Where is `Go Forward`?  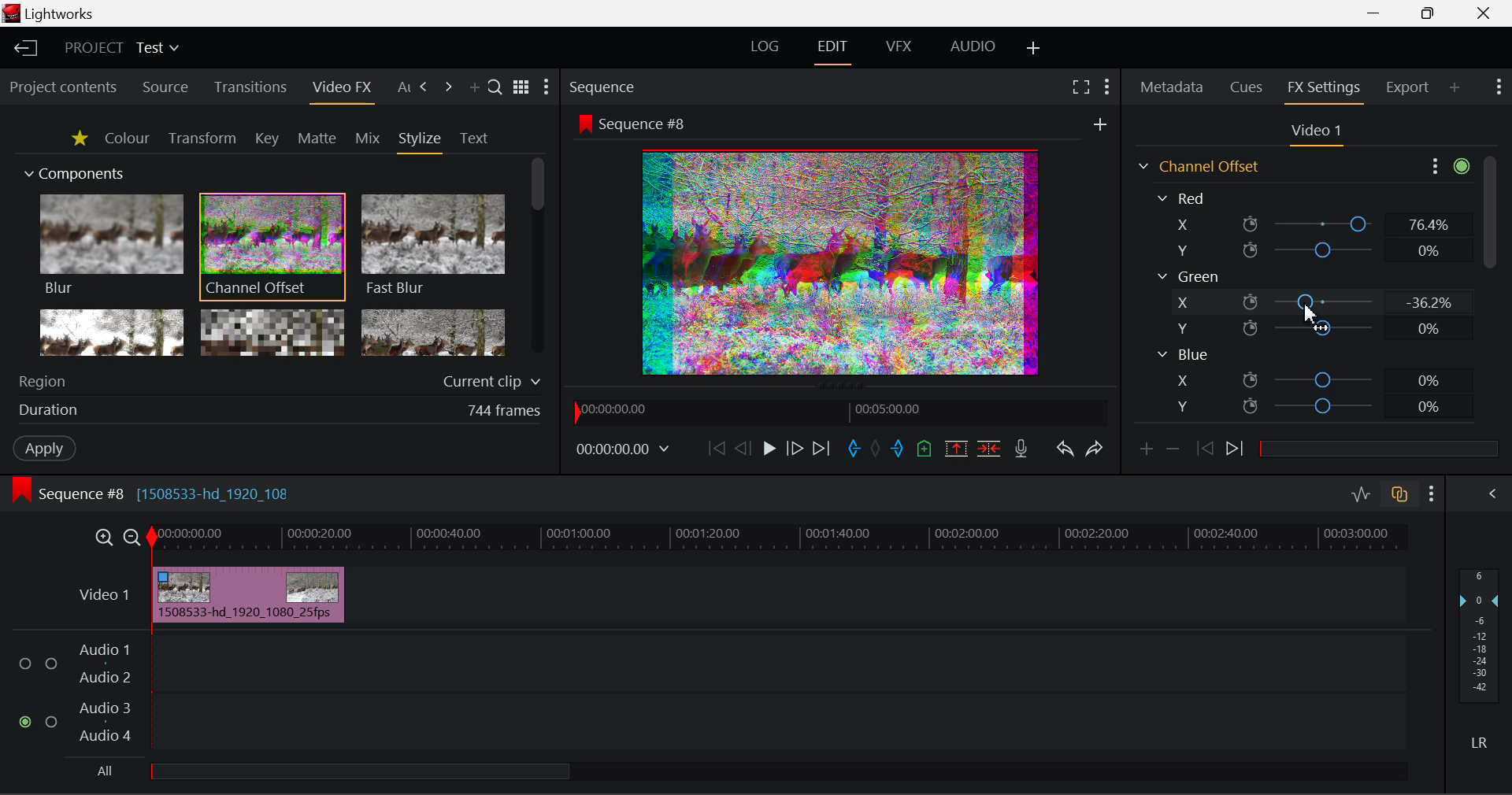
Go Forward is located at coordinates (795, 450).